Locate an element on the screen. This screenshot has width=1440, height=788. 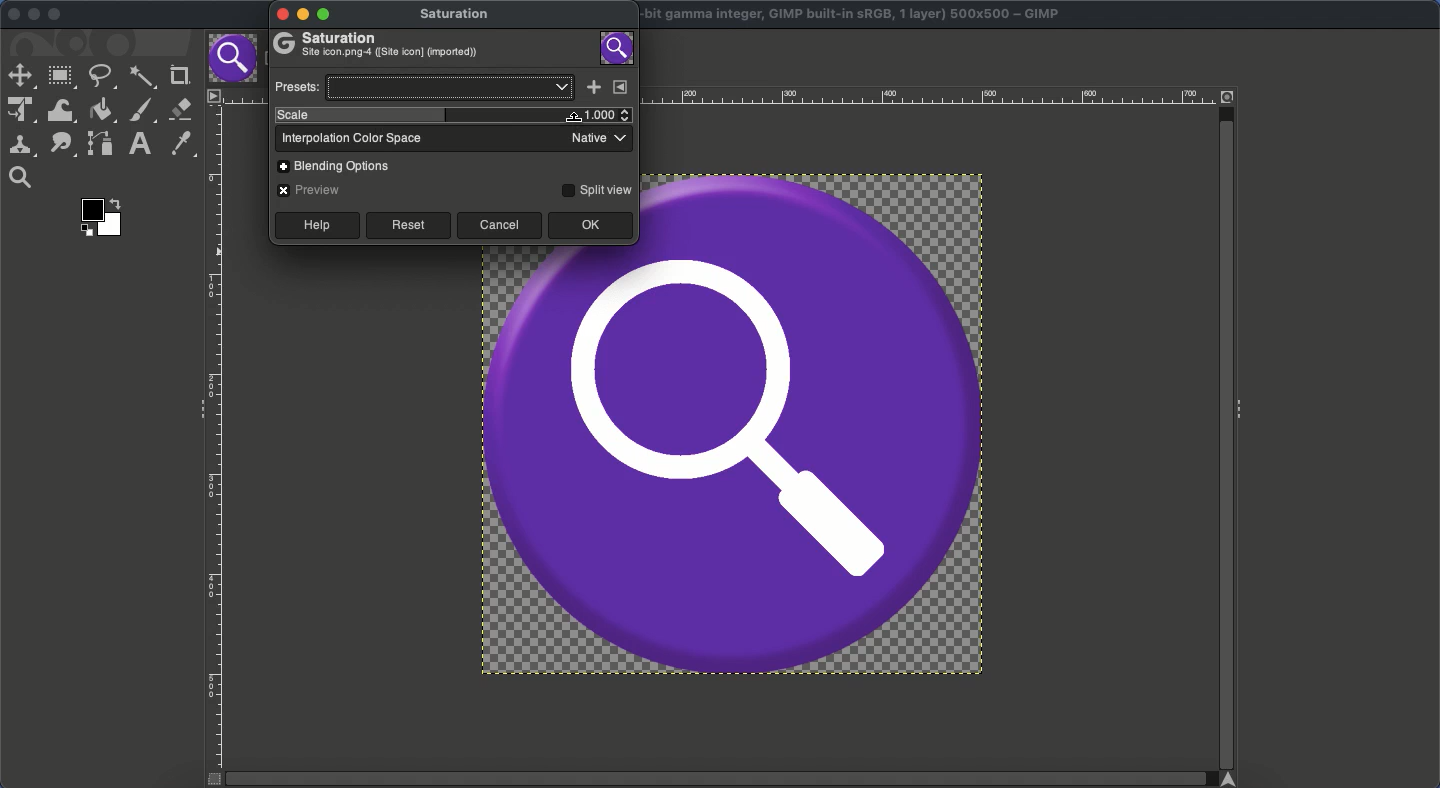
Scale is located at coordinates (425, 116).